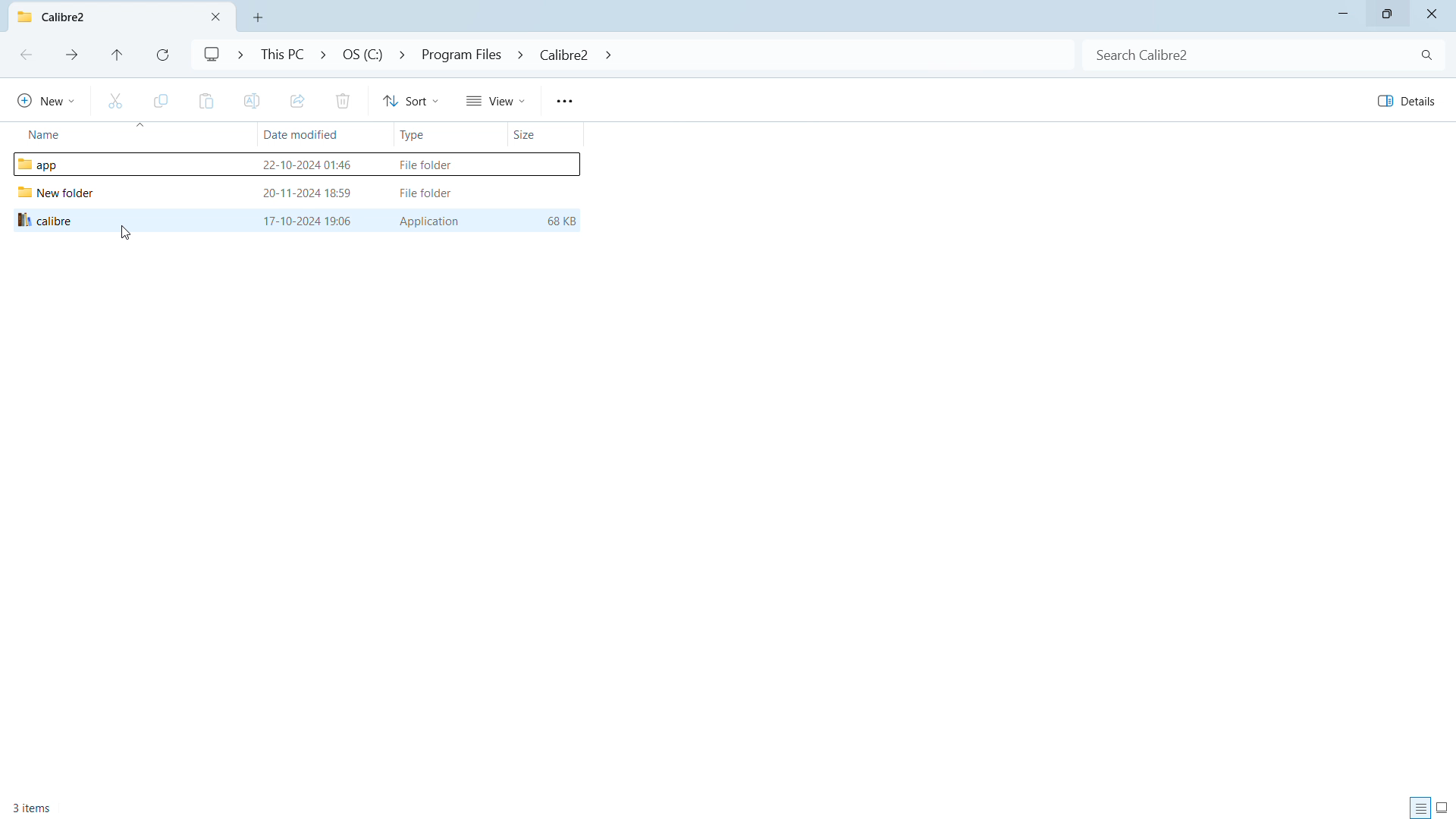 This screenshot has width=1456, height=819. Describe the element at coordinates (1389, 11) in the screenshot. I see `maximize` at that location.